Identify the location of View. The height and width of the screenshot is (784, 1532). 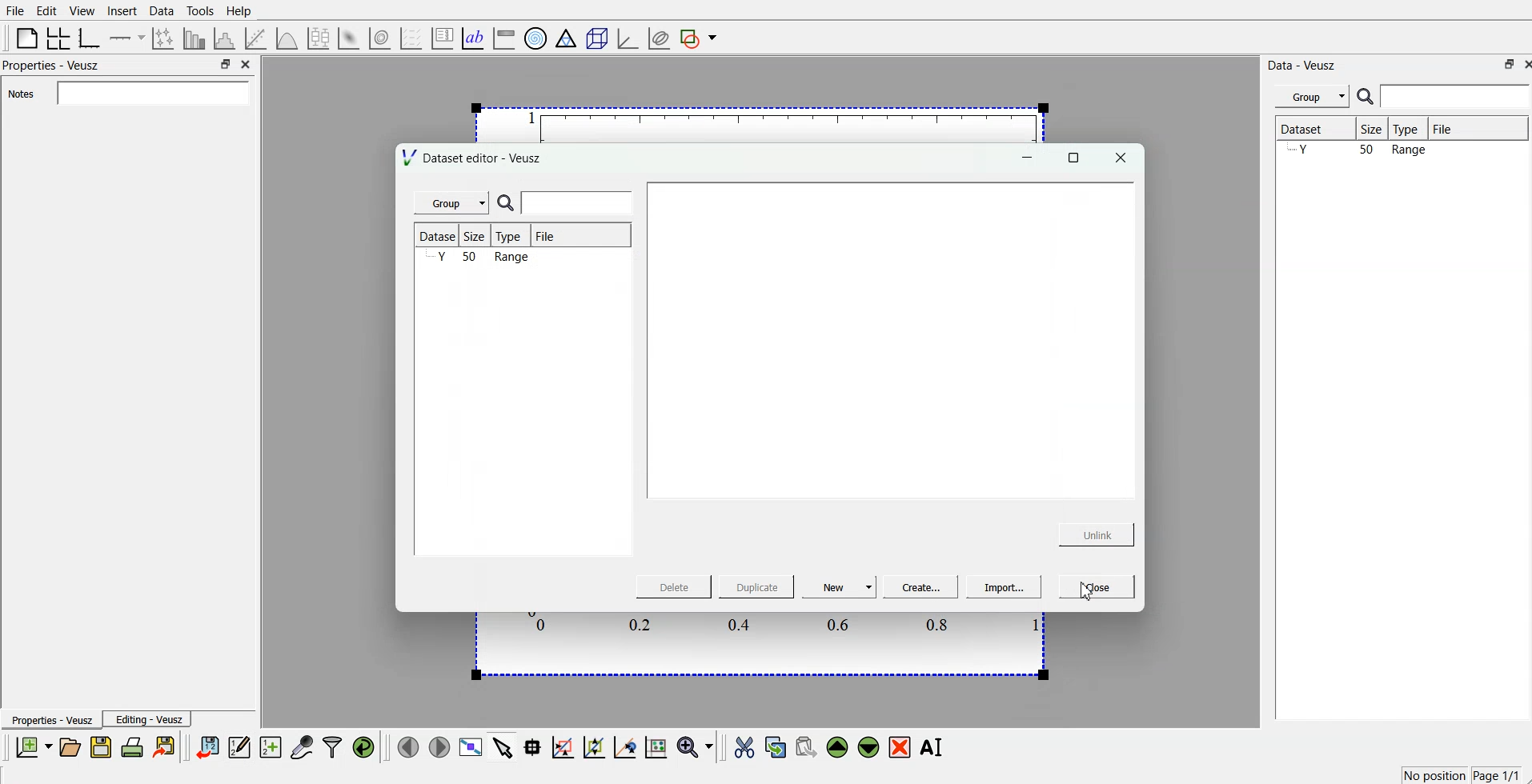
(82, 10).